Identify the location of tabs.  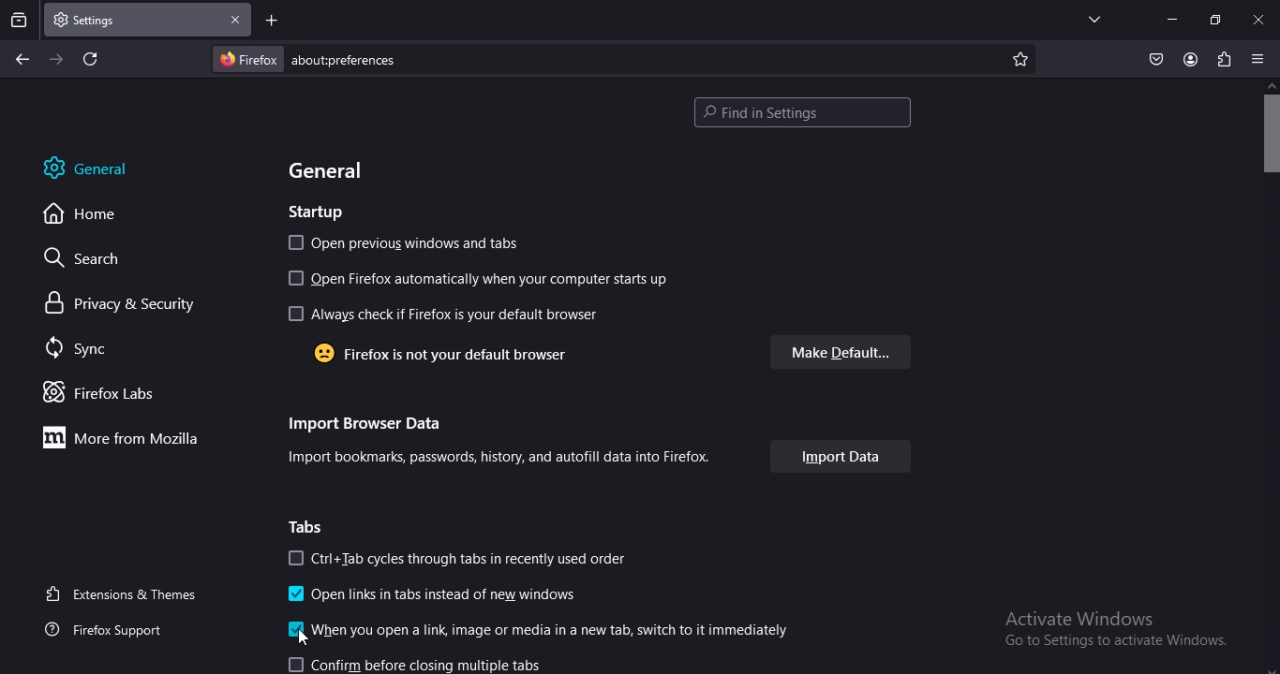
(305, 526).